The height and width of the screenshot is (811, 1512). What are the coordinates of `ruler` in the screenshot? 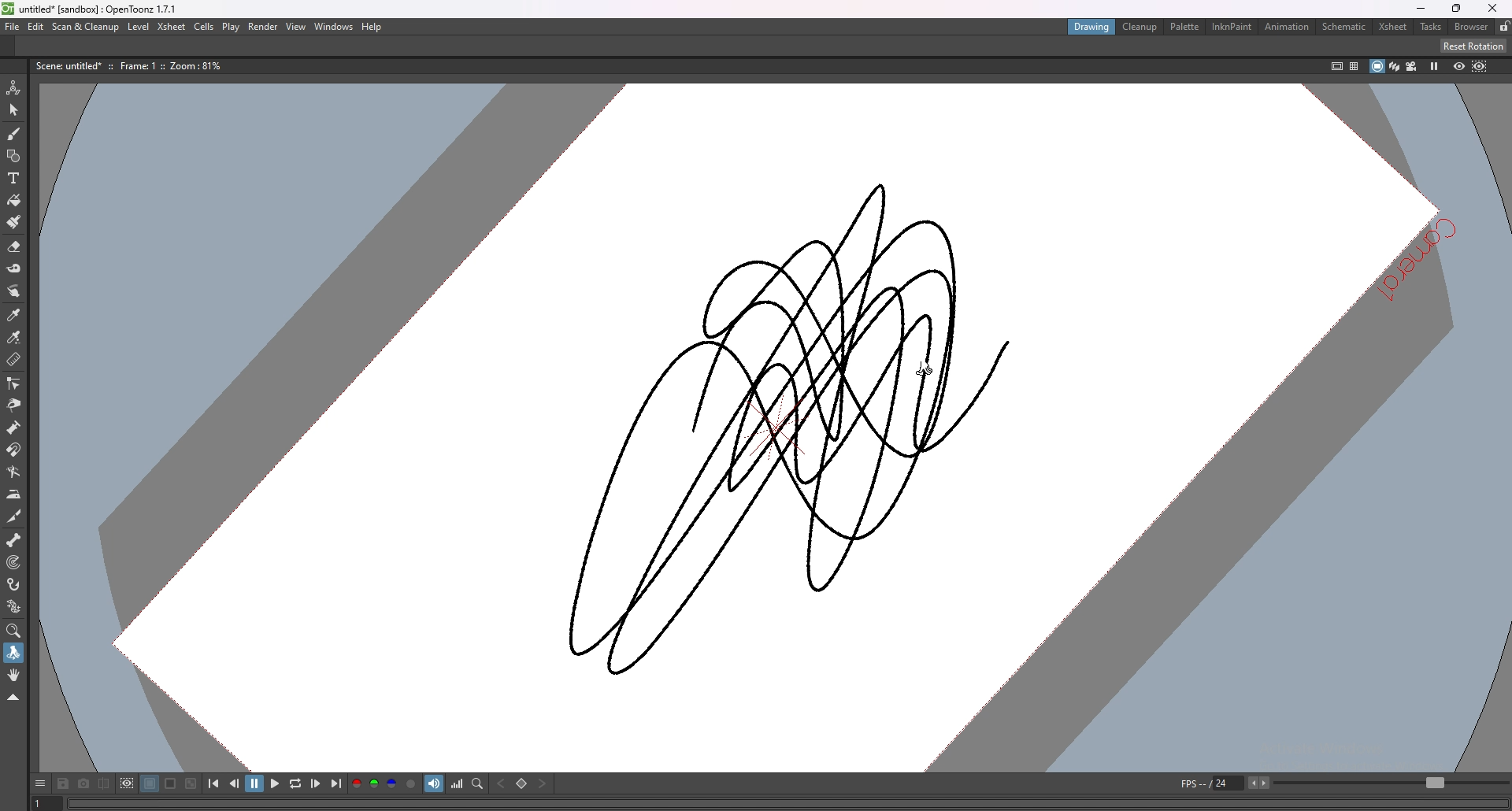 It's located at (13, 361).